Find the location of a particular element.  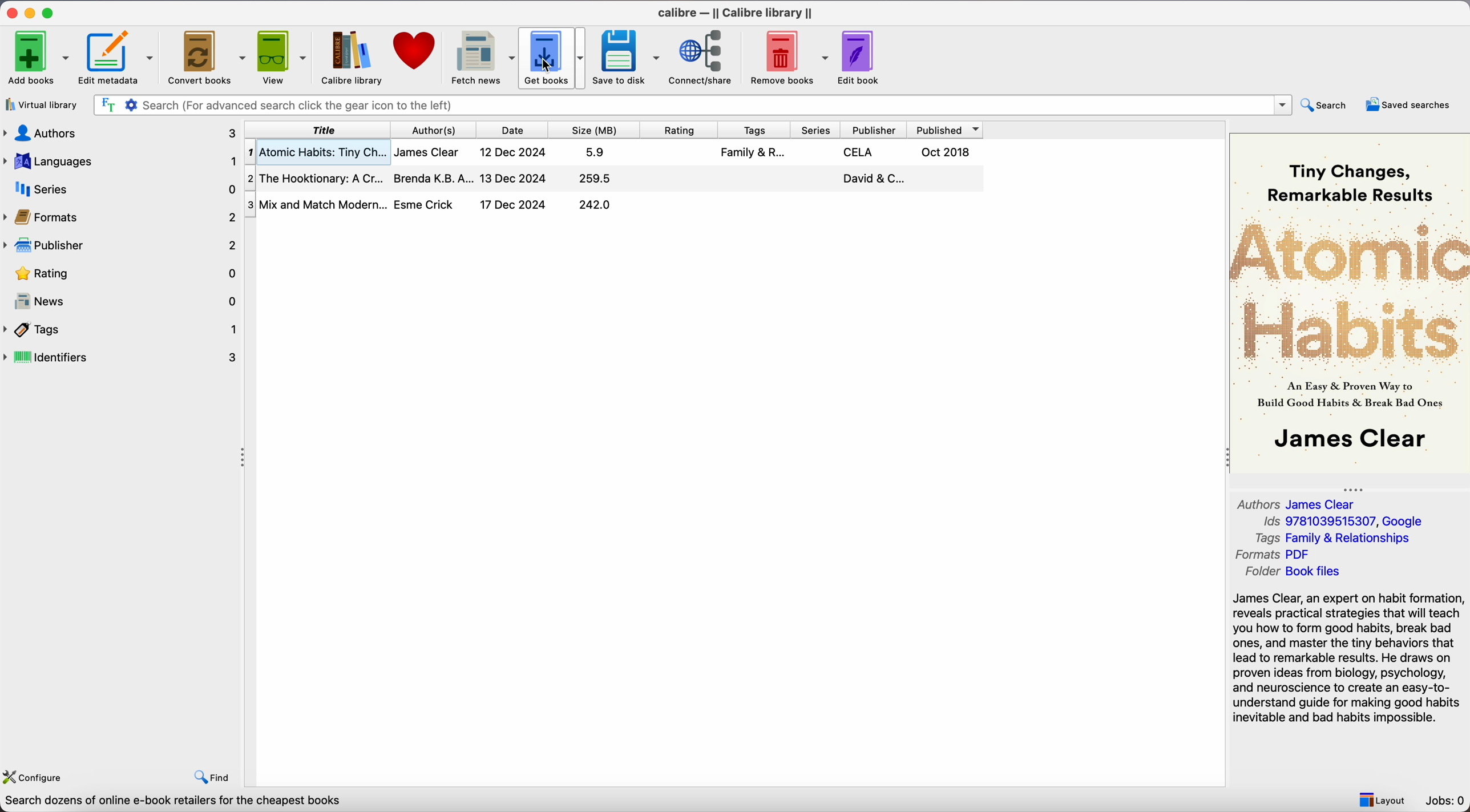

Ids 9781039515307, Google is located at coordinates (1344, 522).